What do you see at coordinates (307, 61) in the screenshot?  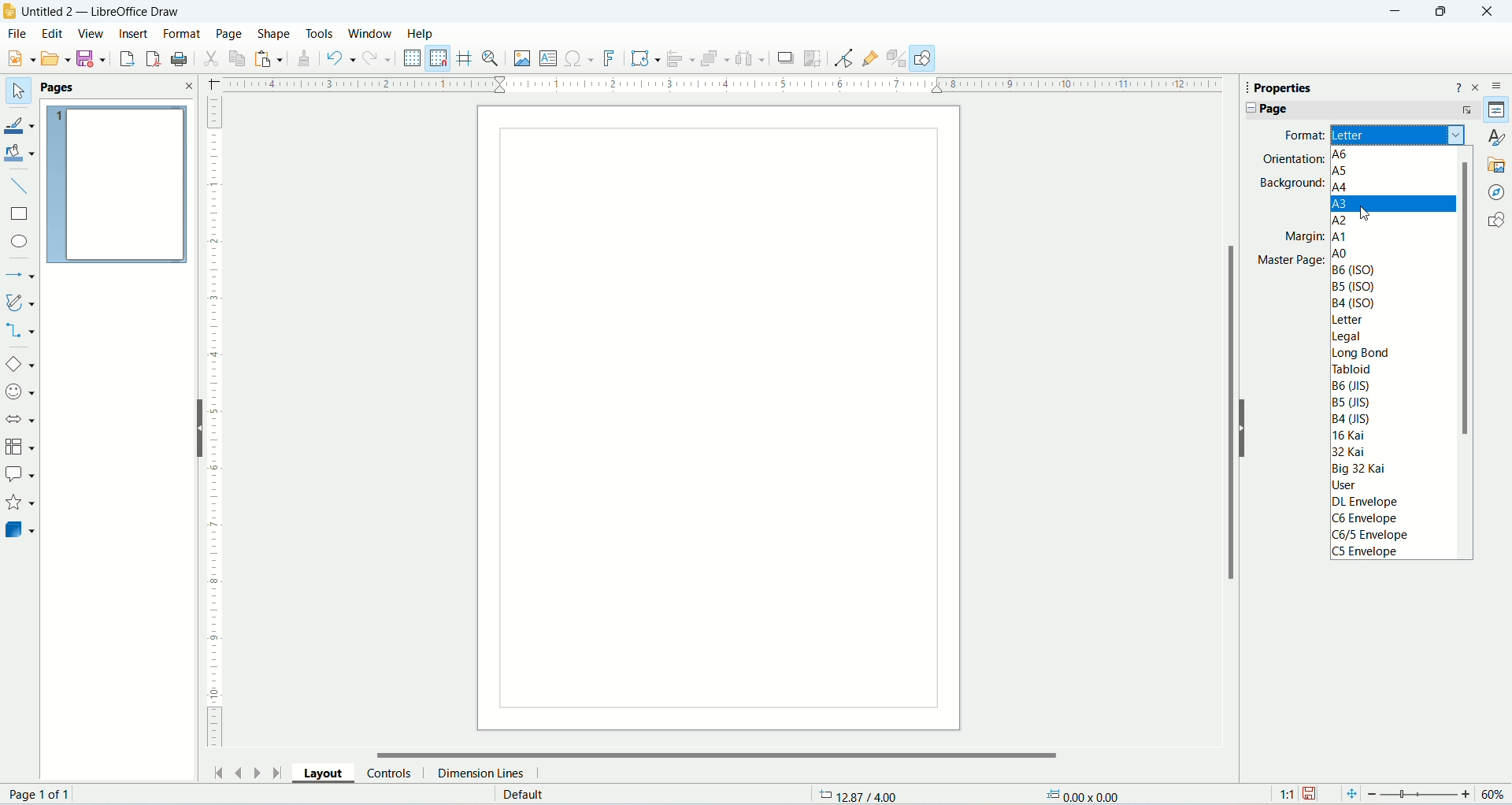 I see `clone formatting` at bounding box center [307, 61].